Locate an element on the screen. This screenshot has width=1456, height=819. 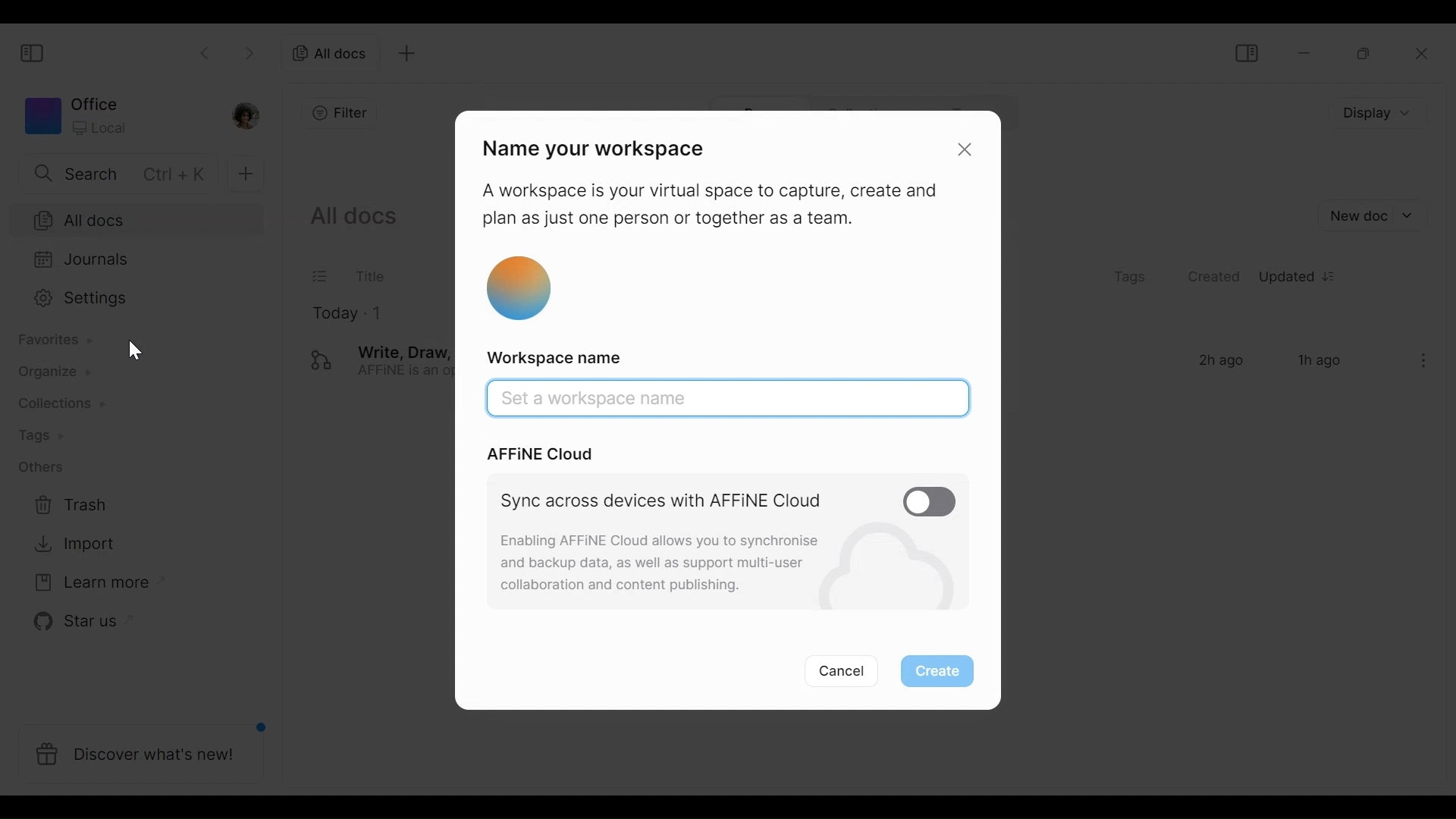
Canvas is located at coordinates (726, 398).